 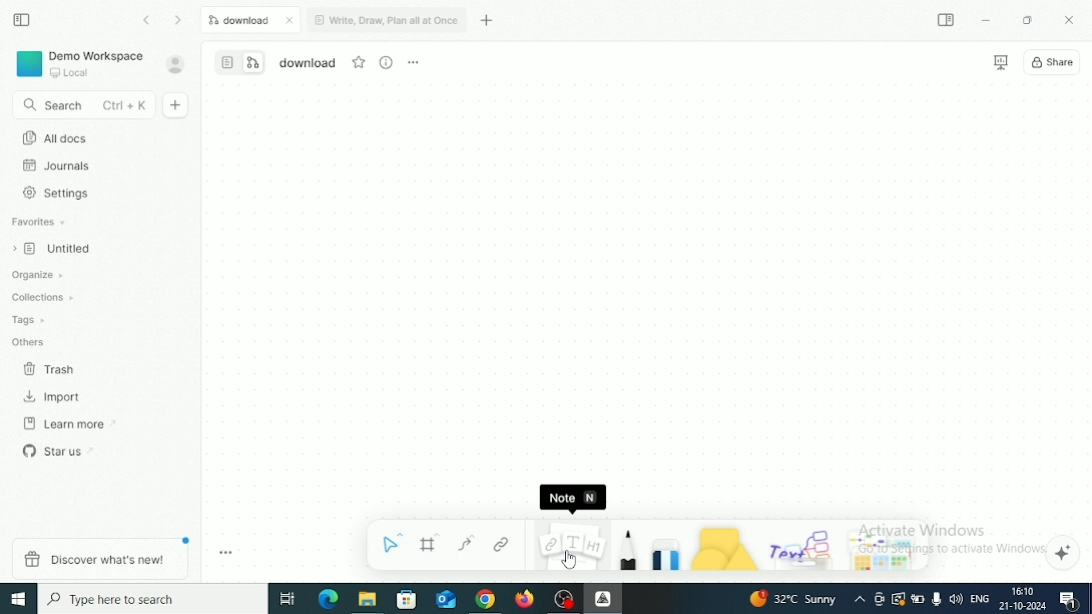 I want to click on Date, so click(x=1023, y=606).